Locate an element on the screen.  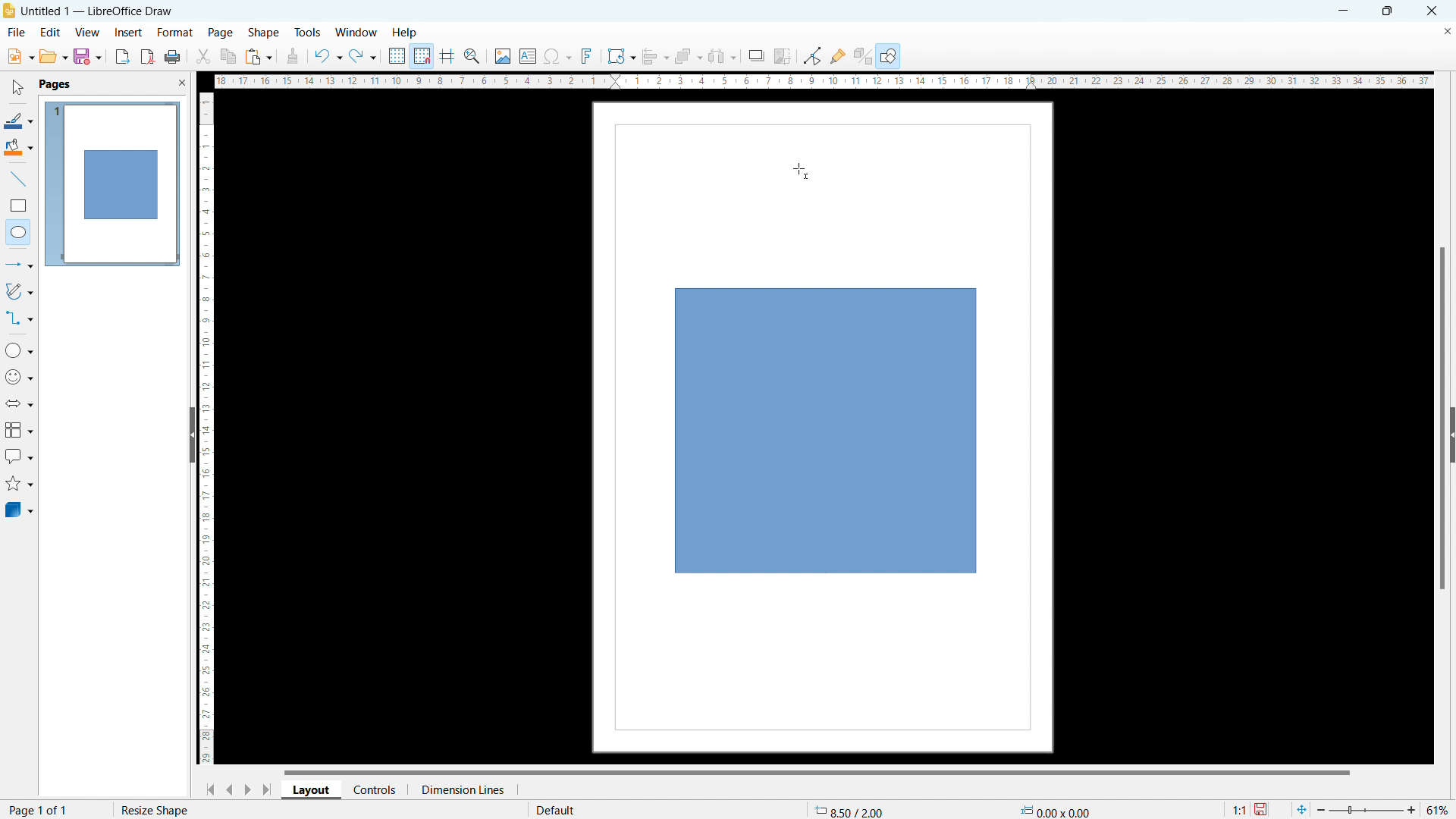
transformations is located at coordinates (620, 56).